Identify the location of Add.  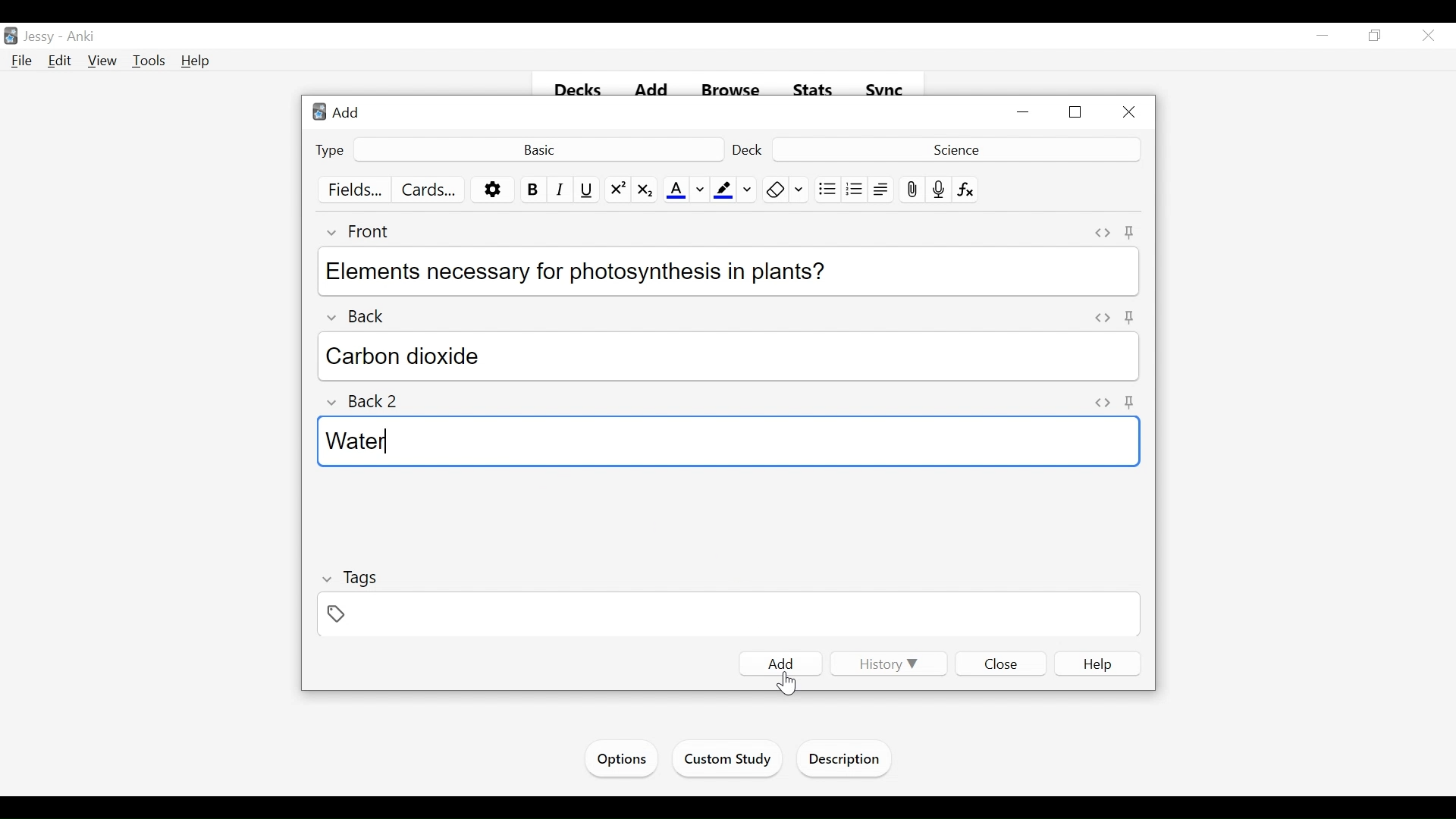
(654, 91).